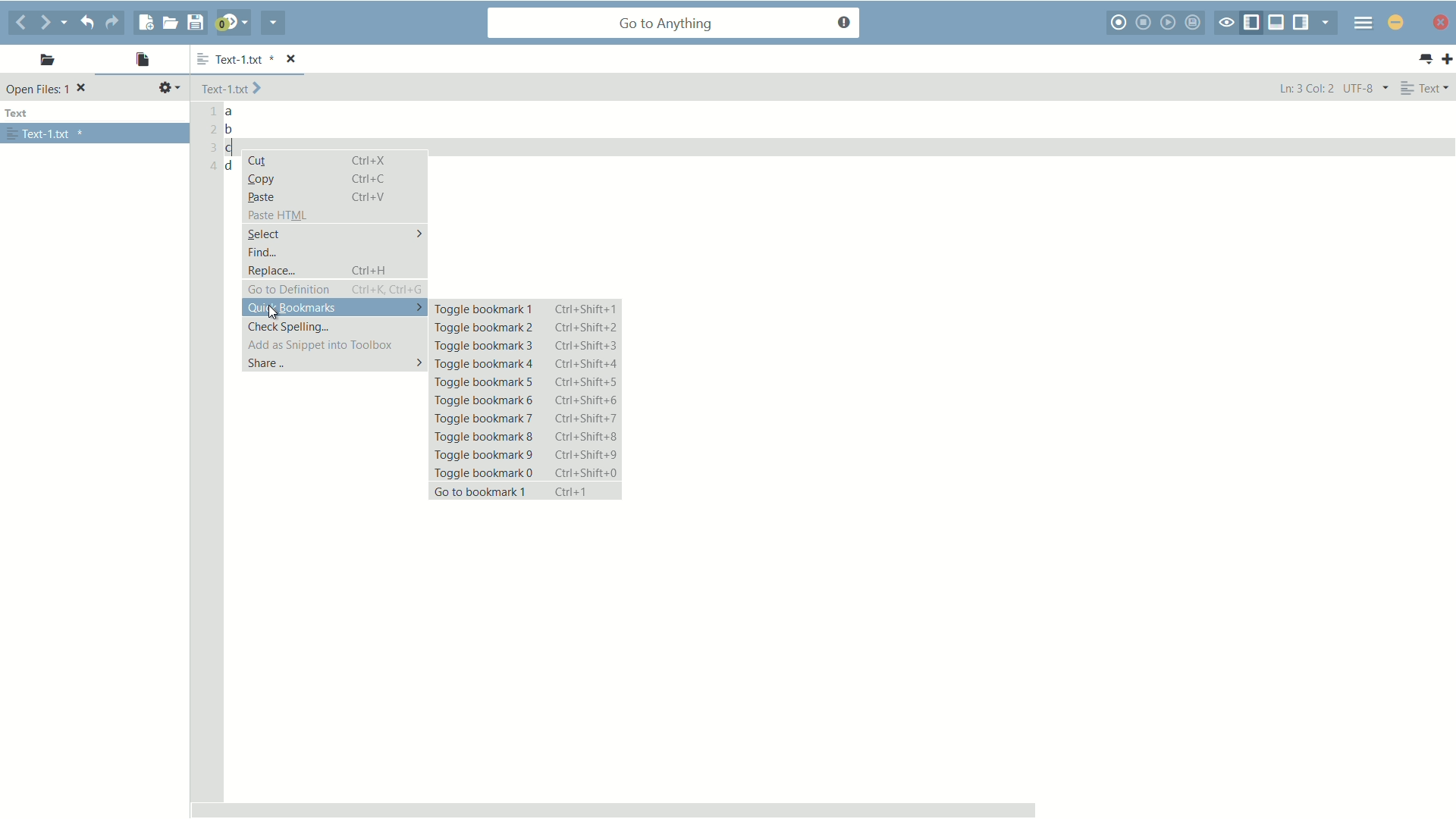 The width and height of the screenshot is (1456, 819). Describe the element at coordinates (198, 22) in the screenshot. I see `save file` at that location.